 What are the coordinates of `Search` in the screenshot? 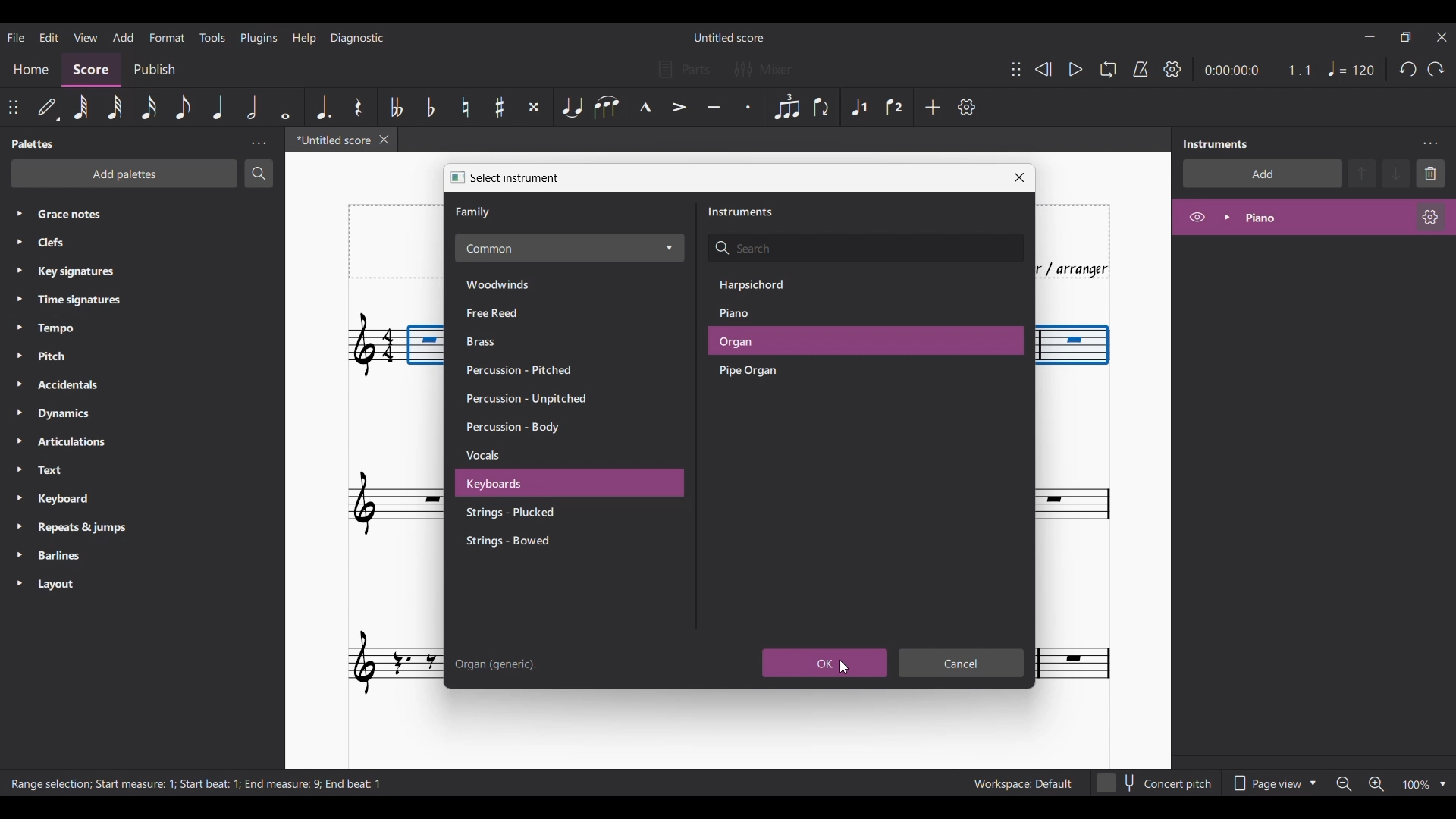 It's located at (259, 173).